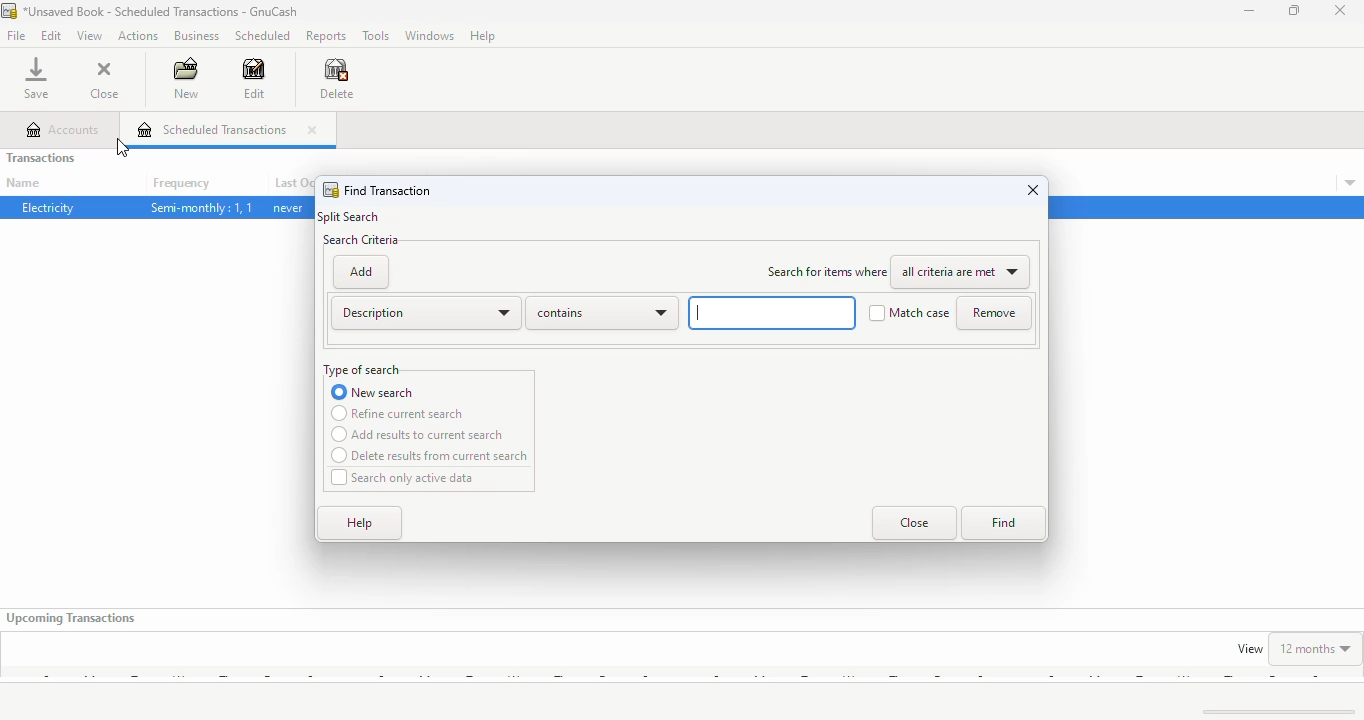 The image size is (1364, 720). What do you see at coordinates (964, 273) in the screenshot?
I see `all criteria are met` at bounding box center [964, 273].